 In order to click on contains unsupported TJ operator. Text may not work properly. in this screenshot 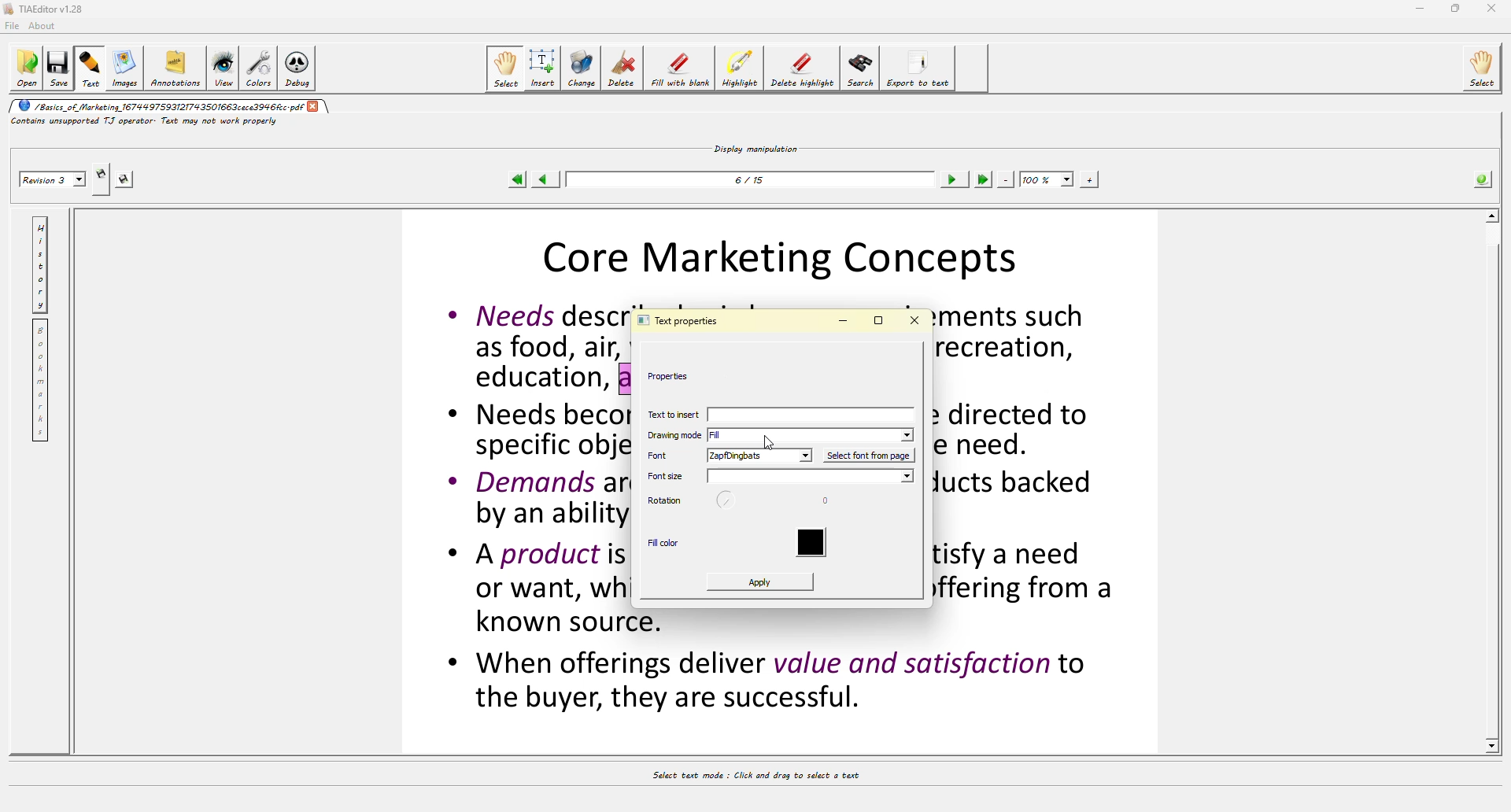, I will do `click(154, 120)`.